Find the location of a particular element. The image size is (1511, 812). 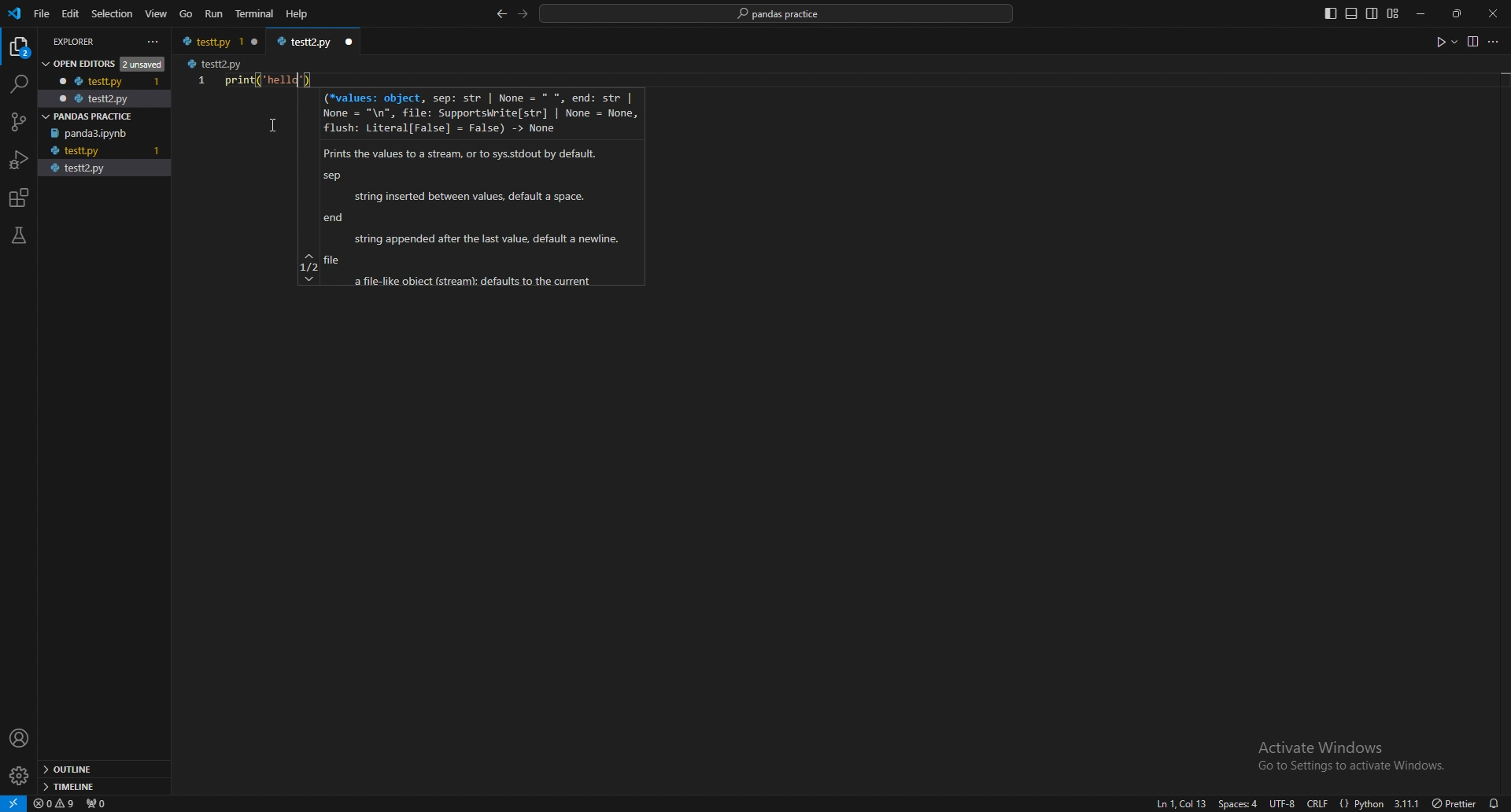

utf-8 is located at coordinates (1280, 803).